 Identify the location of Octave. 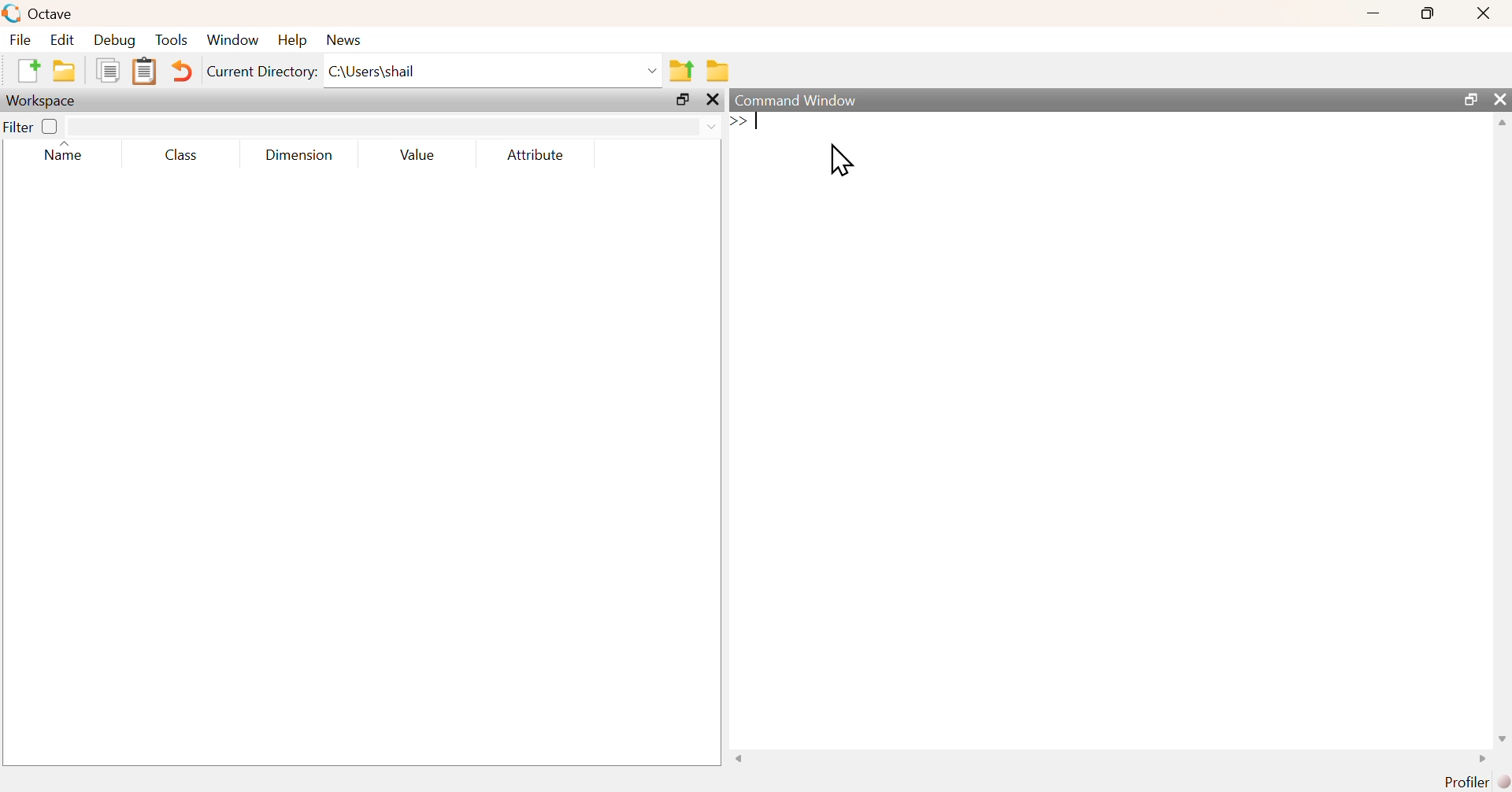
(54, 13).